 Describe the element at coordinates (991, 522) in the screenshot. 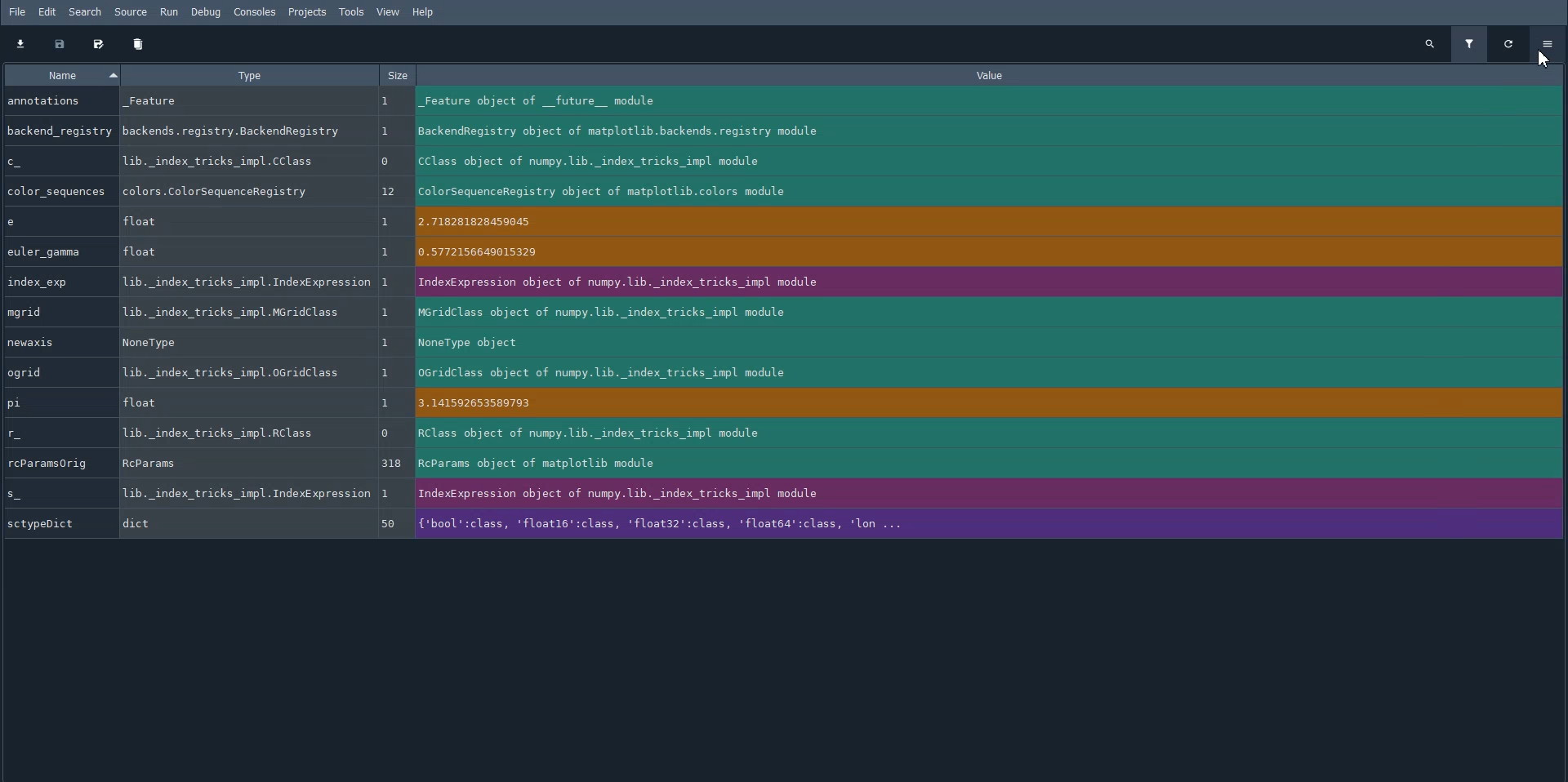

I see `{'bool':class, 'floatl6':class, 'float32':class, 'float64':class, 'lon ...` at that location.